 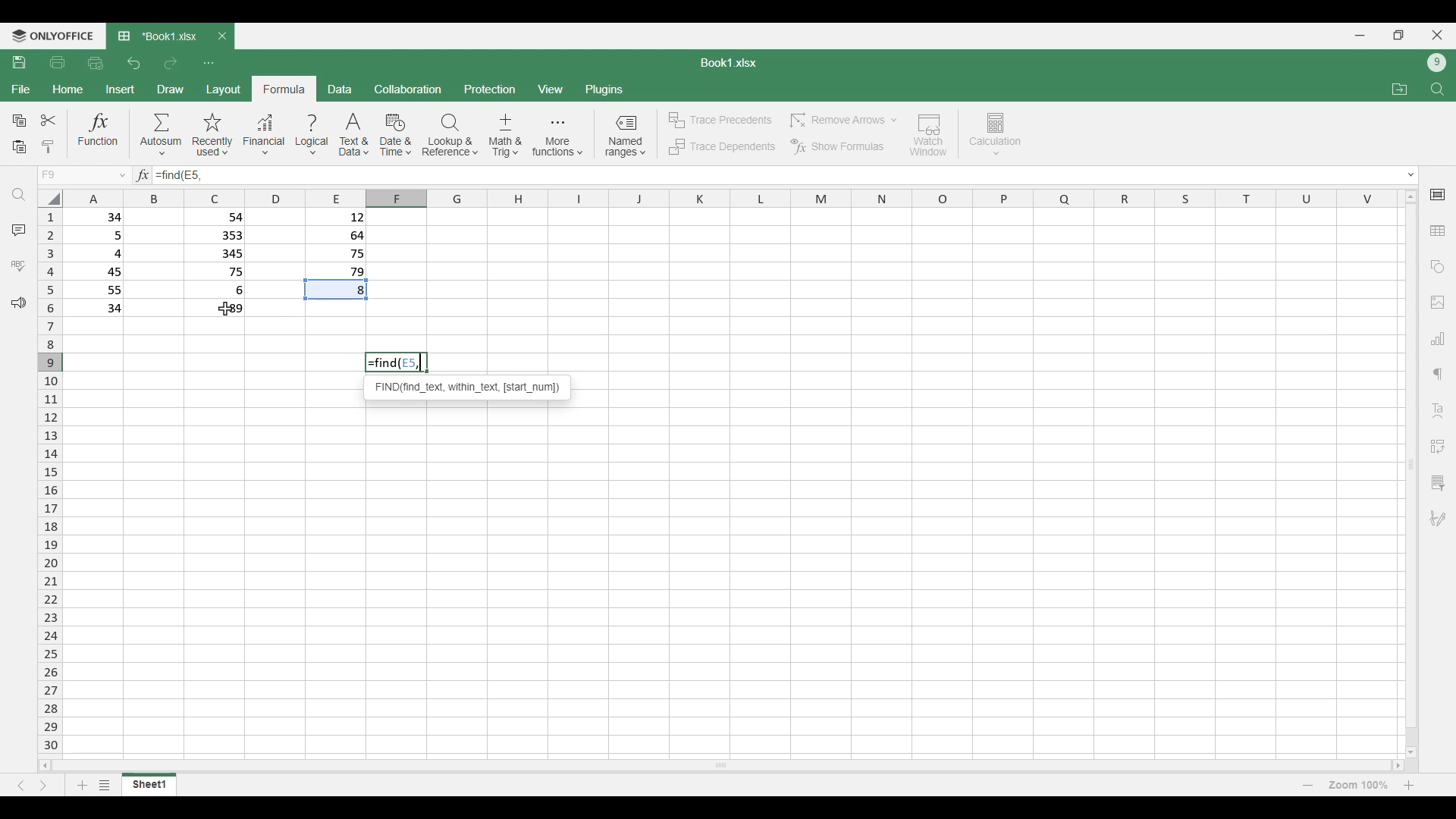 What do you see at coordinates (80, 175) in the screenshot?
I see `Choose cell name` at bounding box center [80, 175].